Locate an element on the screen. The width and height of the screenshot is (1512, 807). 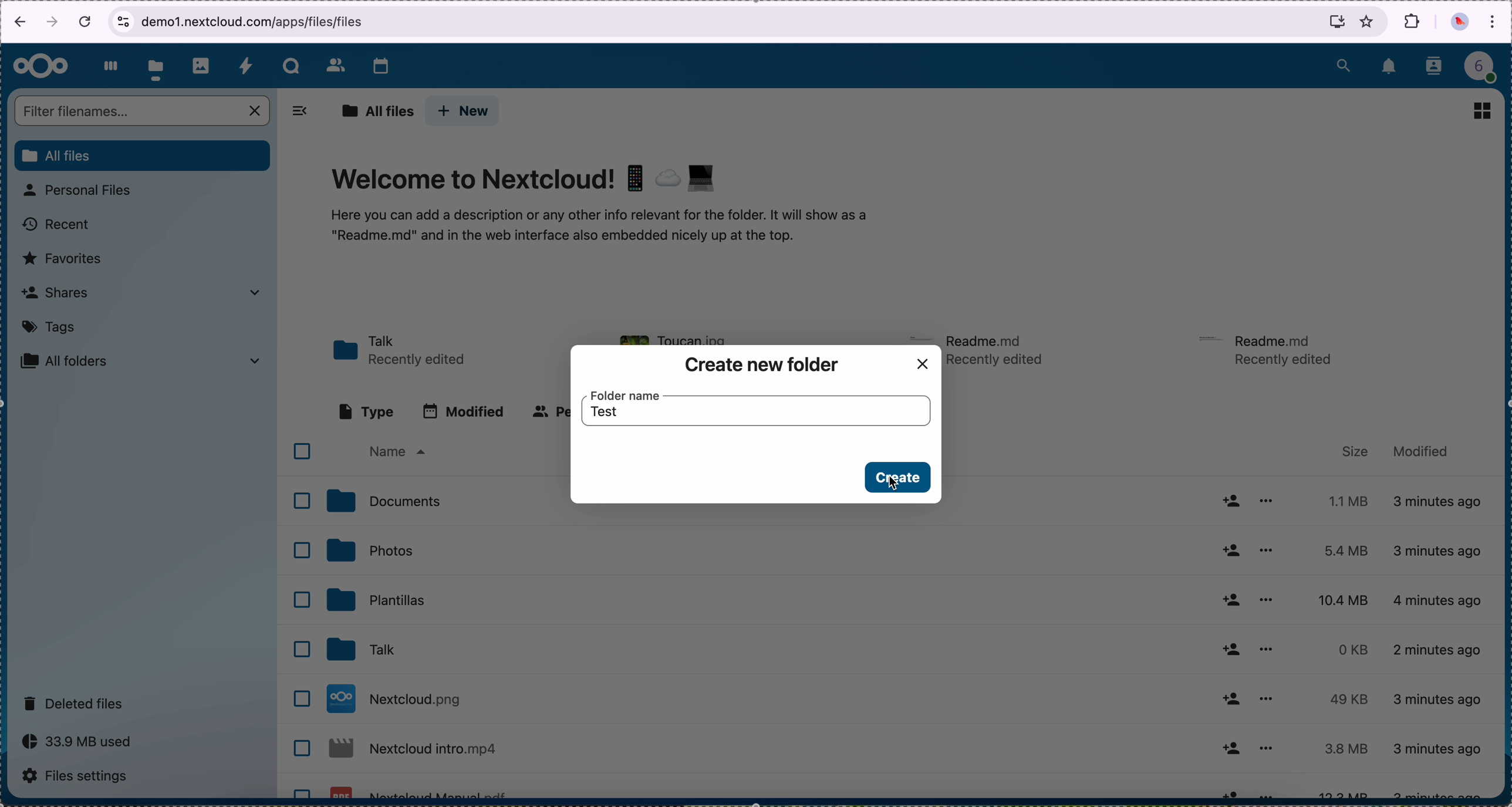
more options is located at coordinates (1268, 695).